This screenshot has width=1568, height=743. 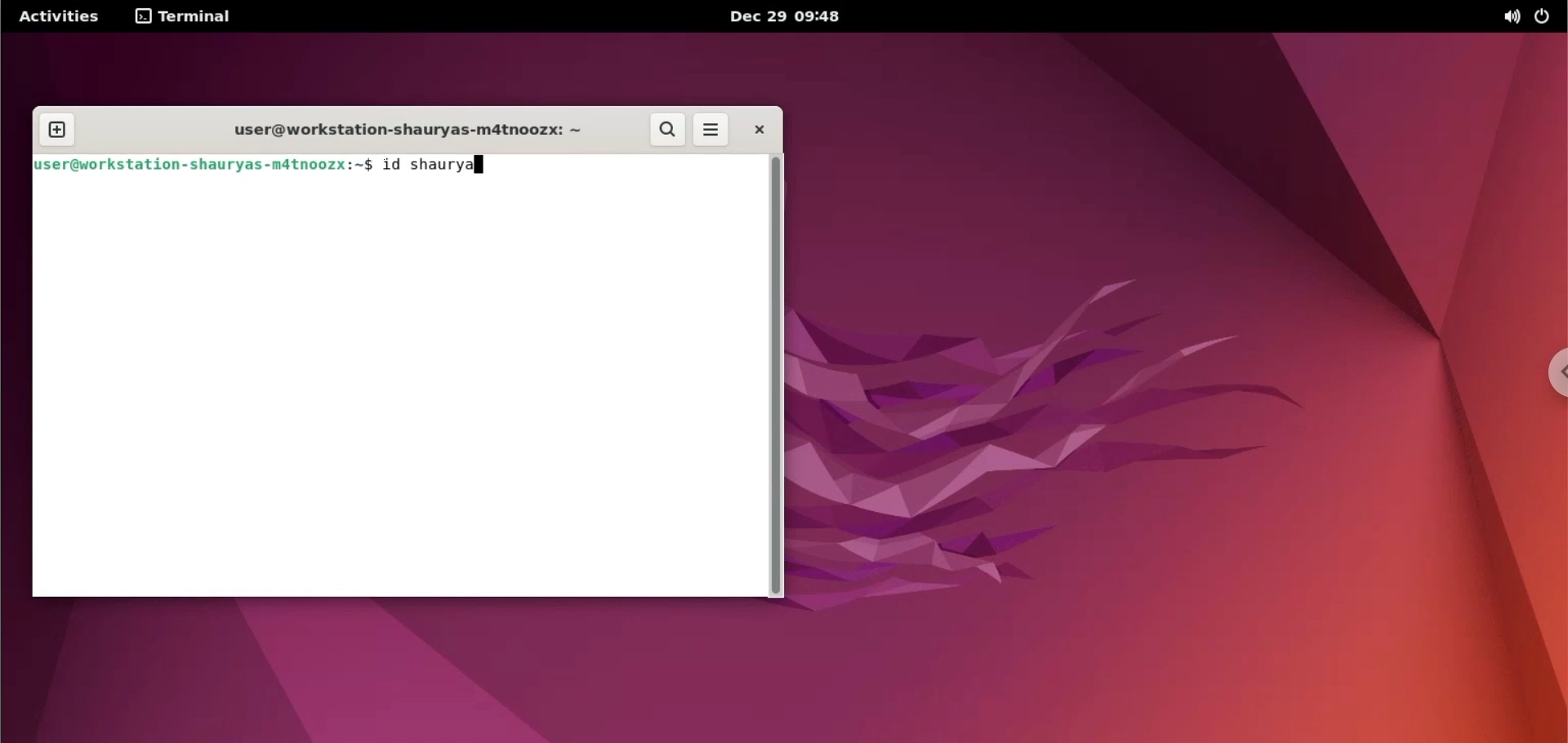 What do you see at coordinates (480, 165) in the screenshot?
I see `typing indicator cursor` at bounding box center [480, 165].